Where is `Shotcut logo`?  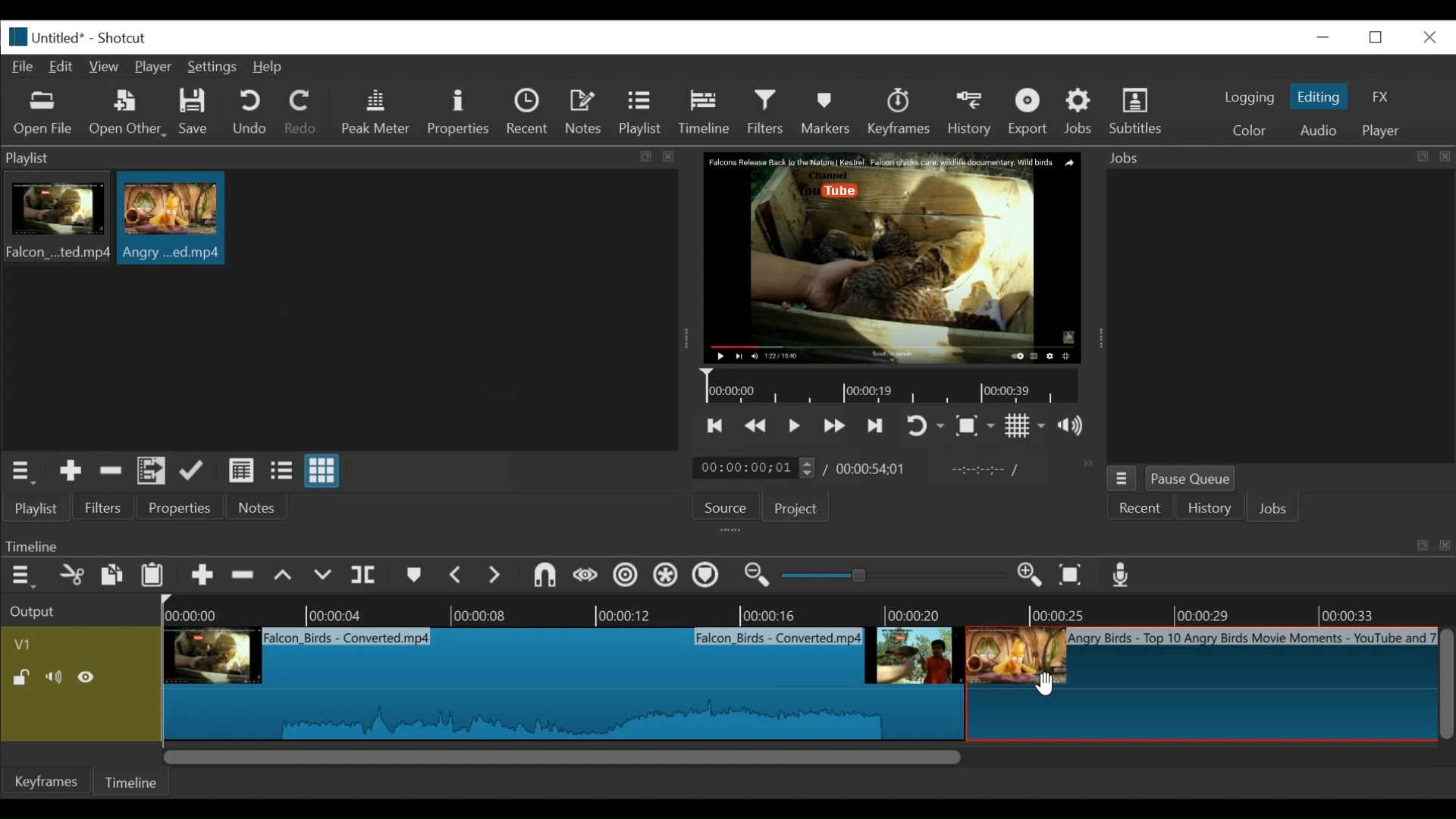 Shotcut logo is located at coordinates (14, 35).